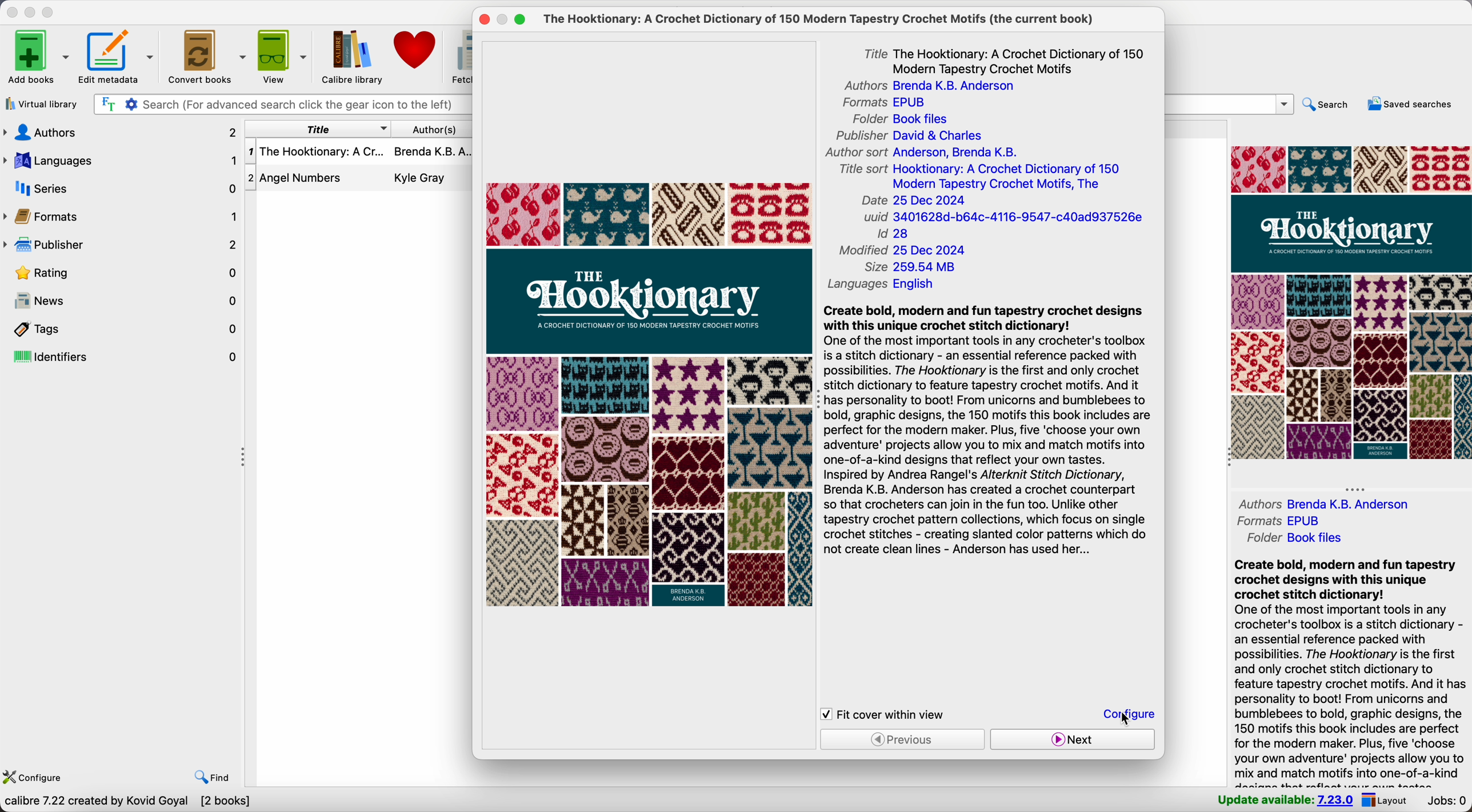 The width and height of the screenshot is (1472, 812). I want to click on identifiers, so click(122, 358).